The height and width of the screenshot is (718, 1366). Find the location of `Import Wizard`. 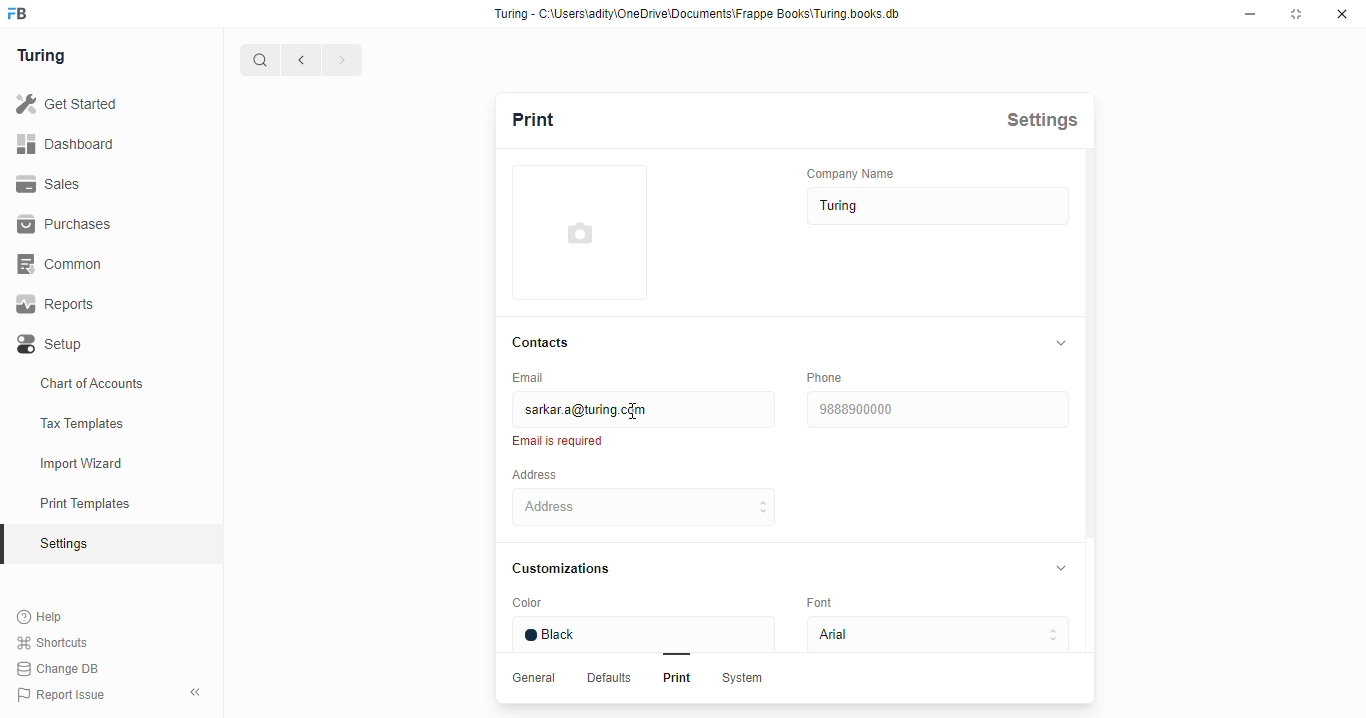

Import Wizard is located at coordinates (108, 462).